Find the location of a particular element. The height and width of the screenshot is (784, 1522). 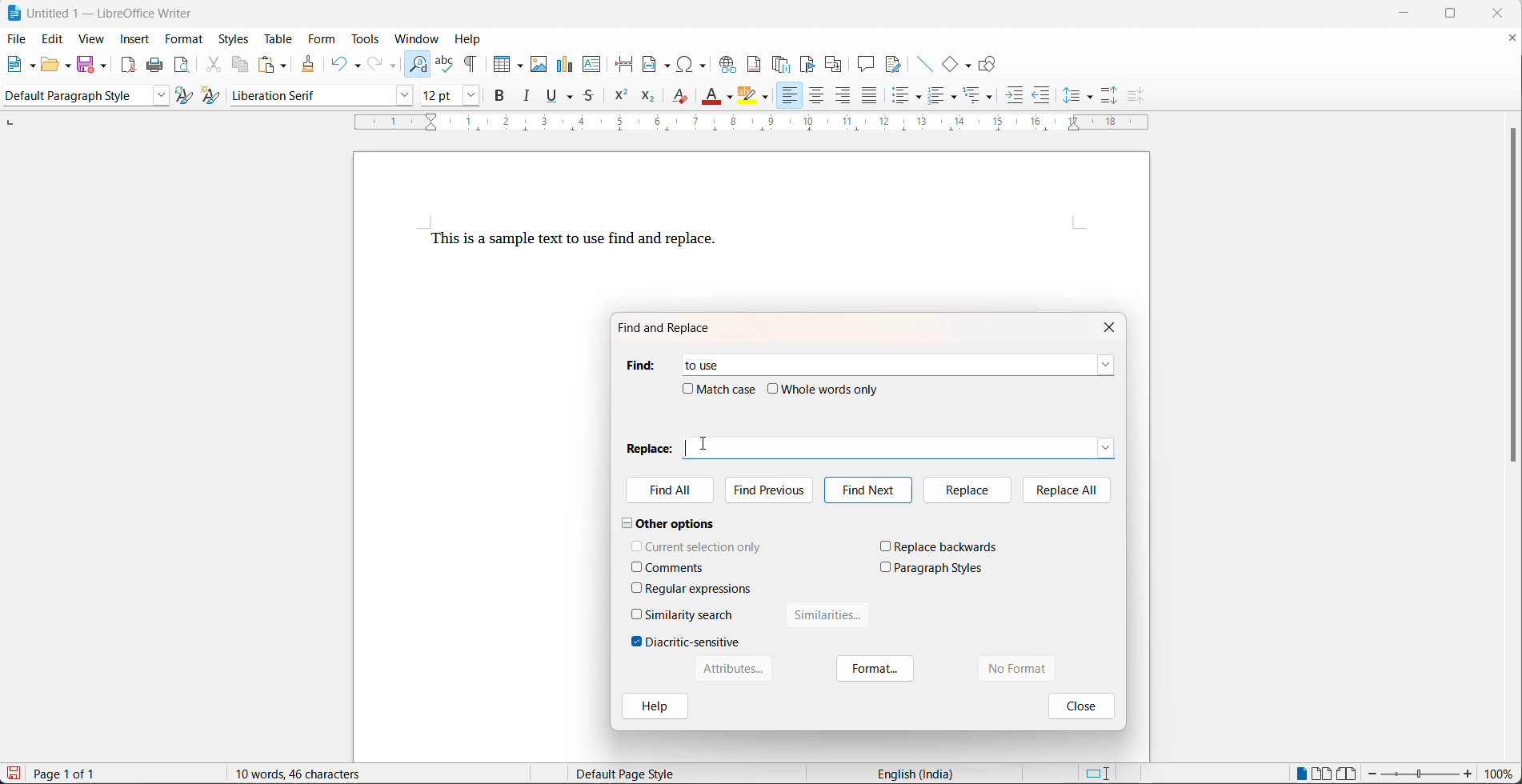

increase indent is located at coordinates (1015, 98).